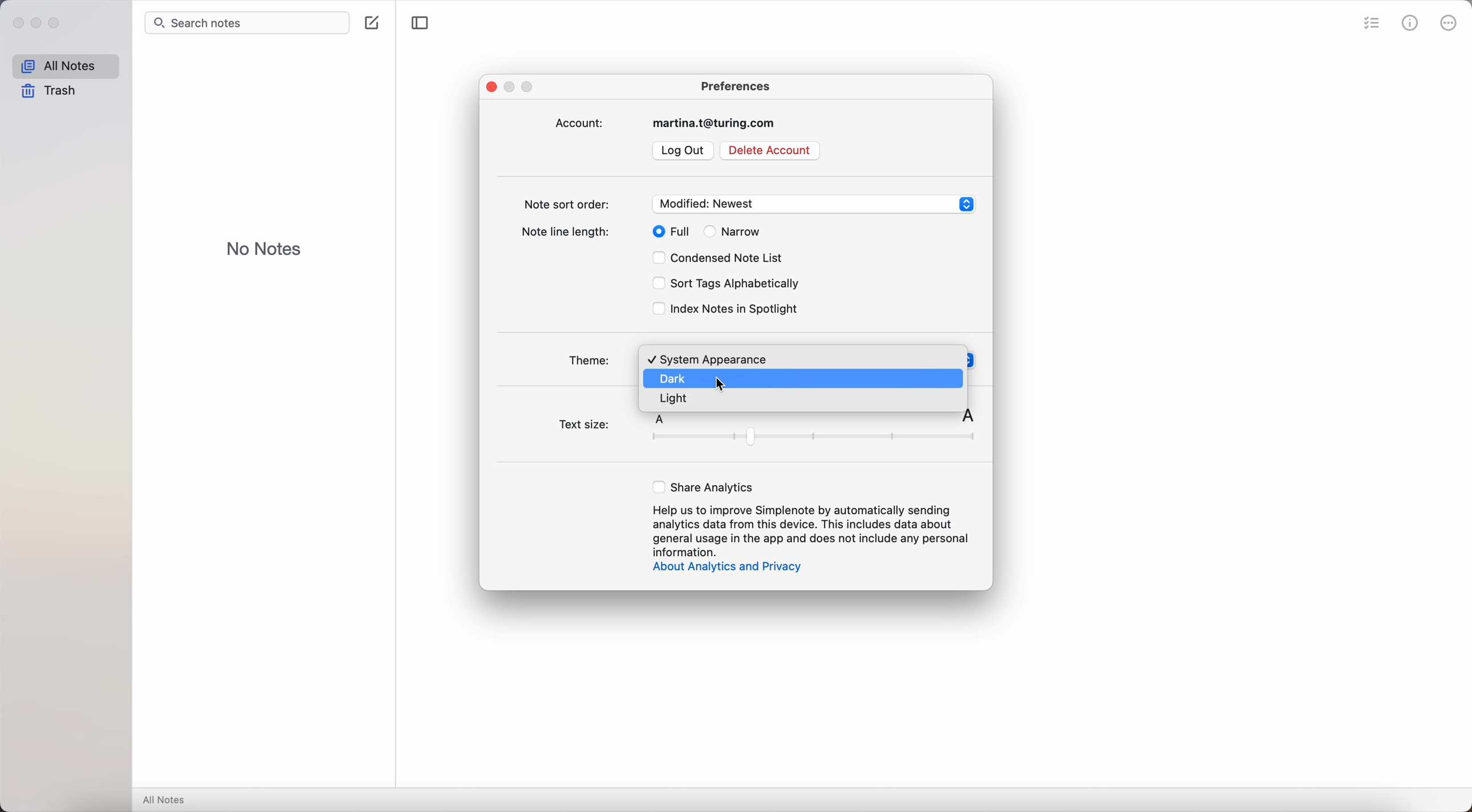 This screenshot has height=812, width=1472. I want to click on check list, so click(1370, 24).